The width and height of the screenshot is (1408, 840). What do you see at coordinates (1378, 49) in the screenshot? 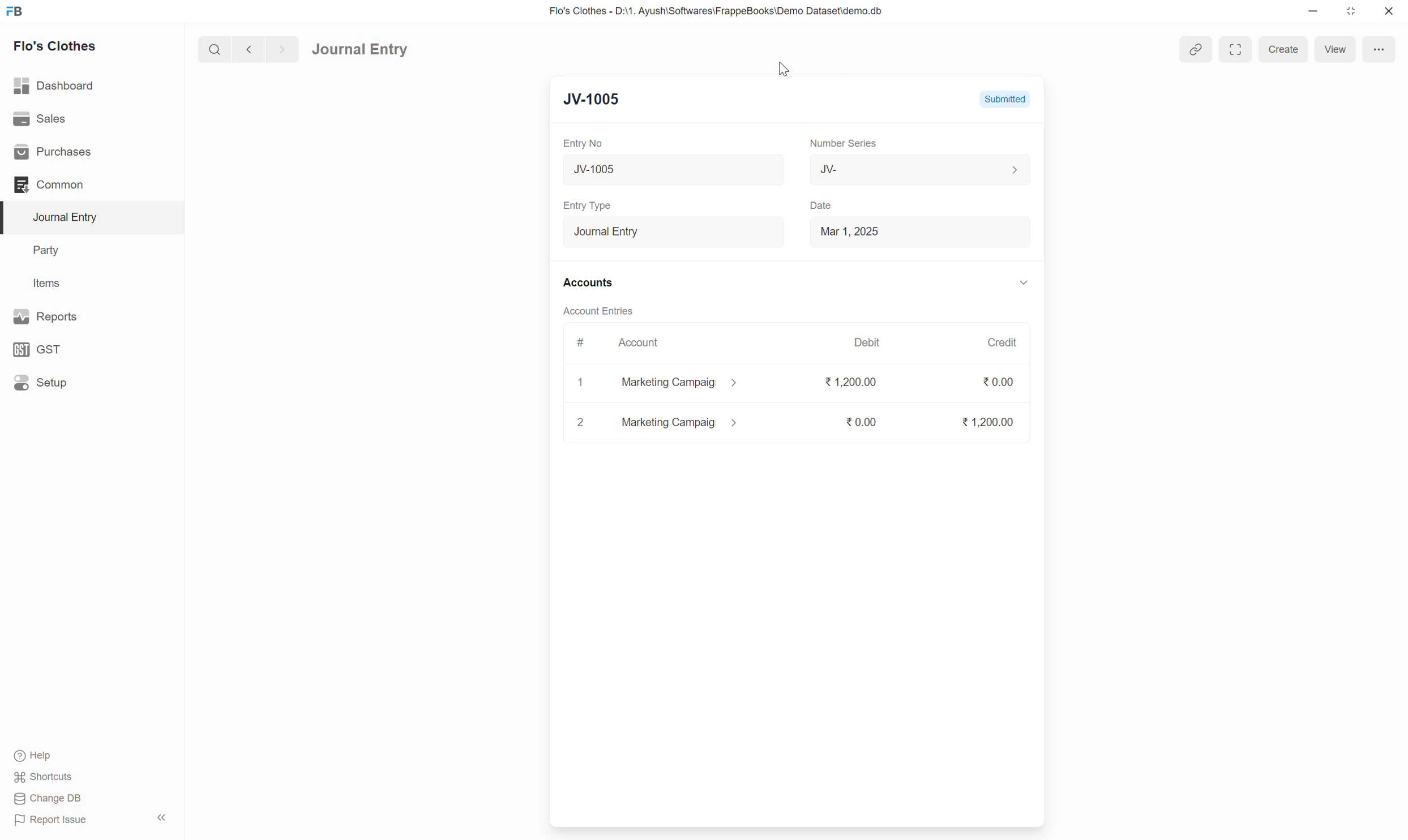
I see `options` at bounding box center [1378, 49].